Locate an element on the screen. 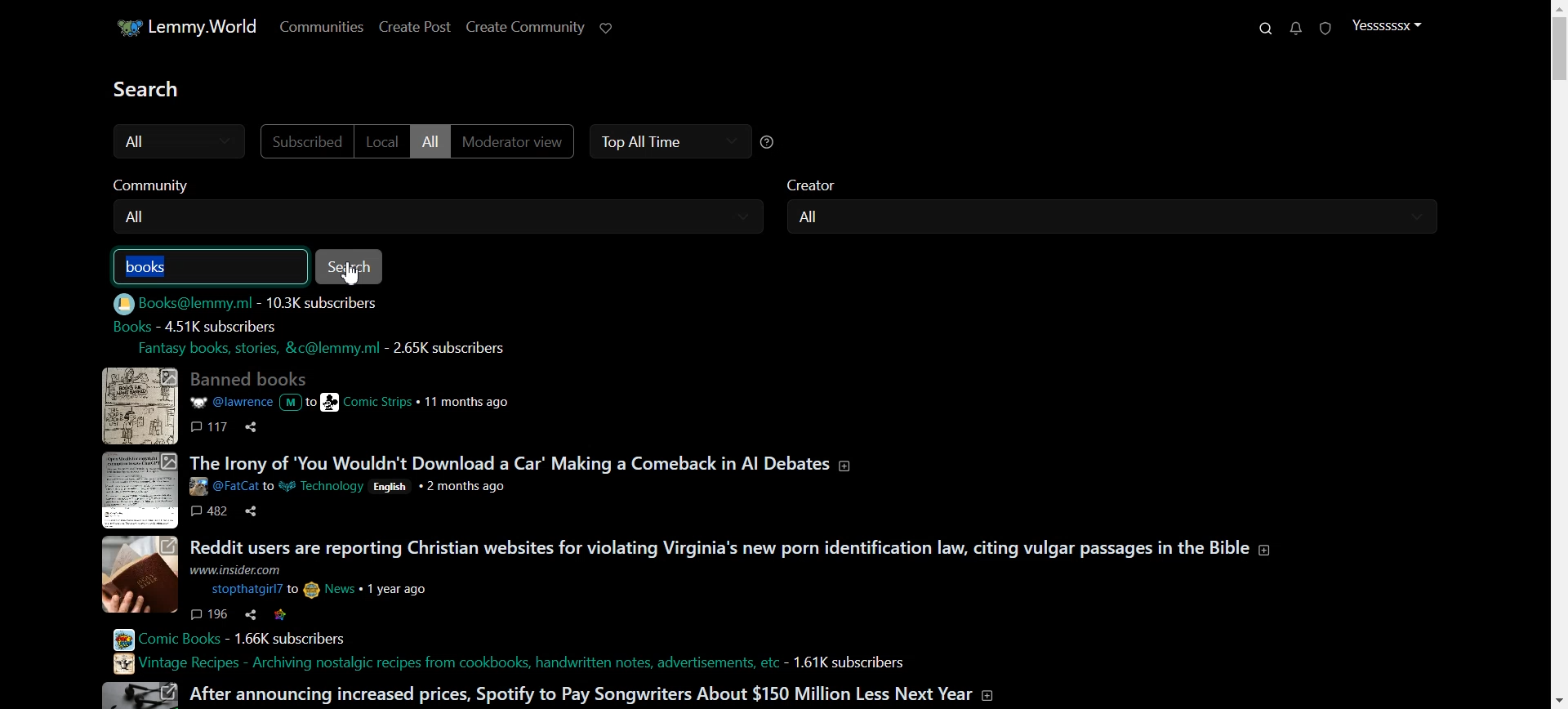 Image resolution: width=1568 pixels, height=709 pixels. Support Limmy is located at coordinates (616, 27).